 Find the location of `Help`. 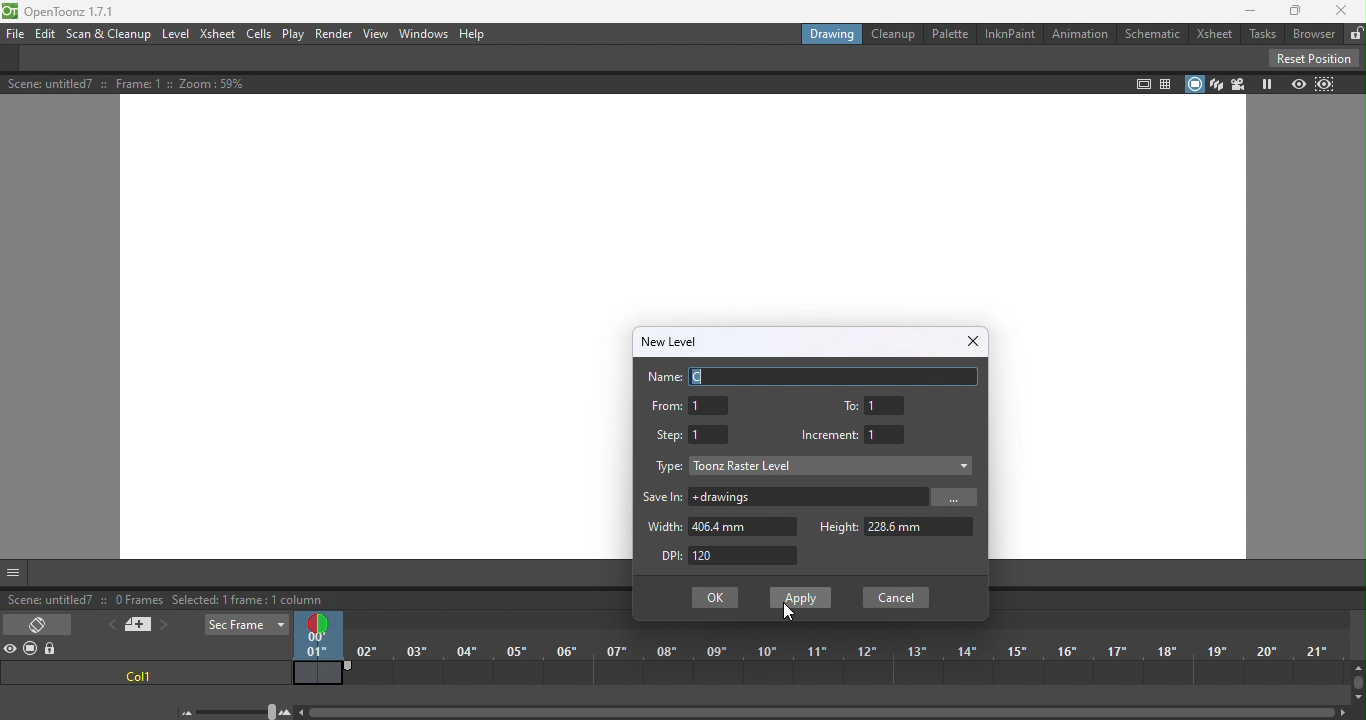

Help is located at coordinates (477, 36).